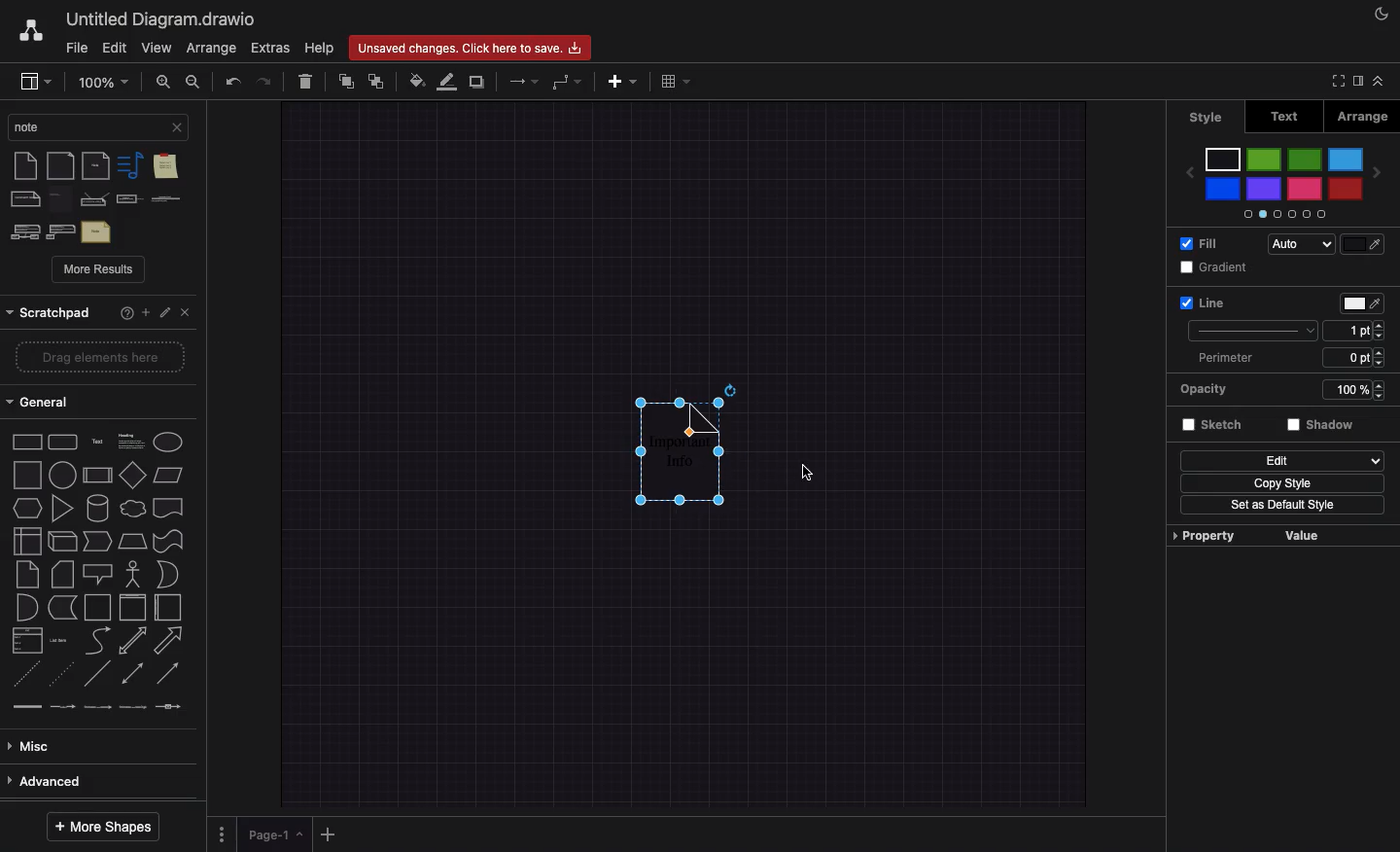 This screenshot has height=852, width=1400. What do you see at coordinates (1281, 213) in the screenshot?
I see `pages in color` at bounding box center [1281, 213].